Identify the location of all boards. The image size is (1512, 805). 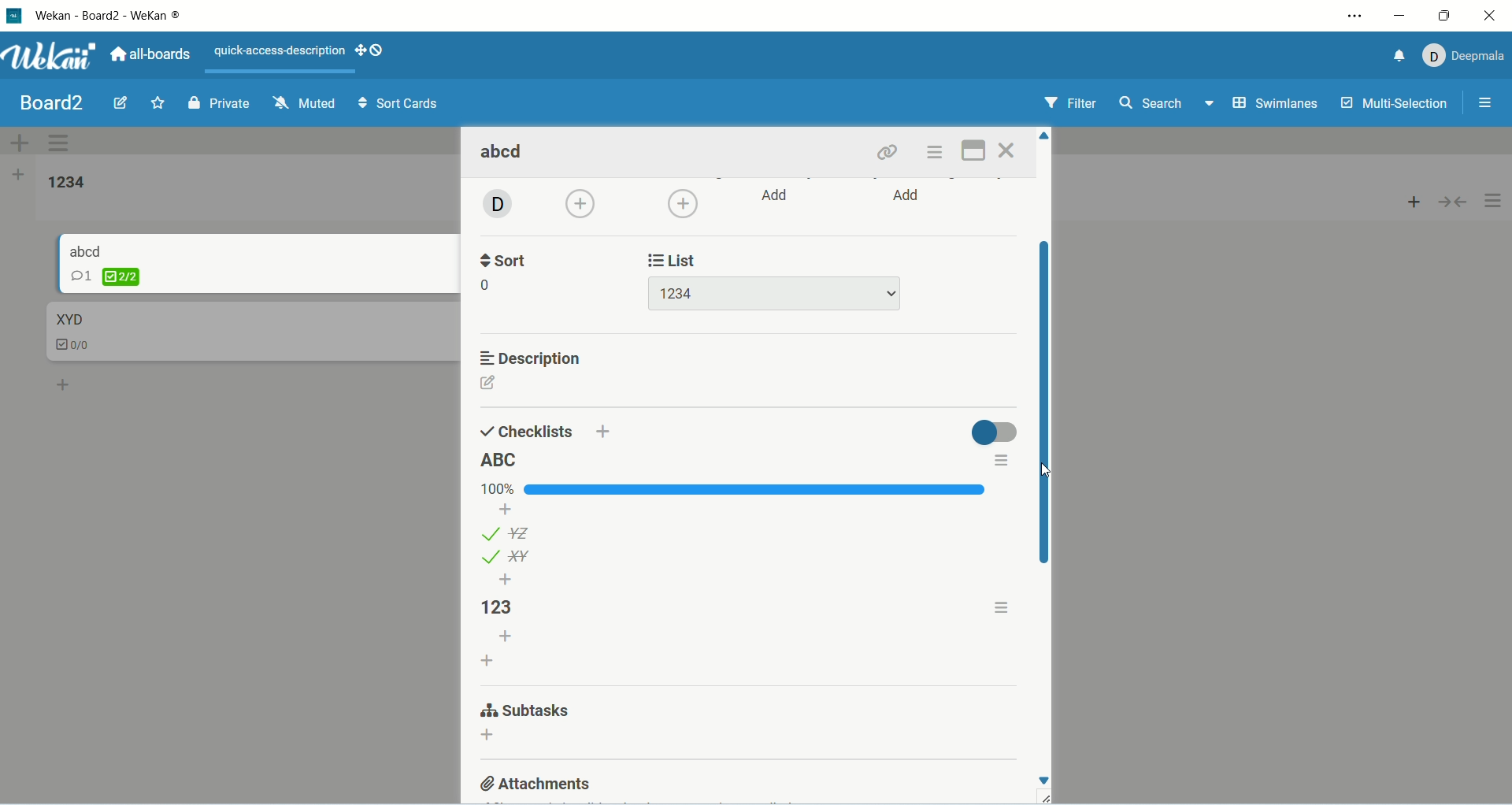
(154, 54).